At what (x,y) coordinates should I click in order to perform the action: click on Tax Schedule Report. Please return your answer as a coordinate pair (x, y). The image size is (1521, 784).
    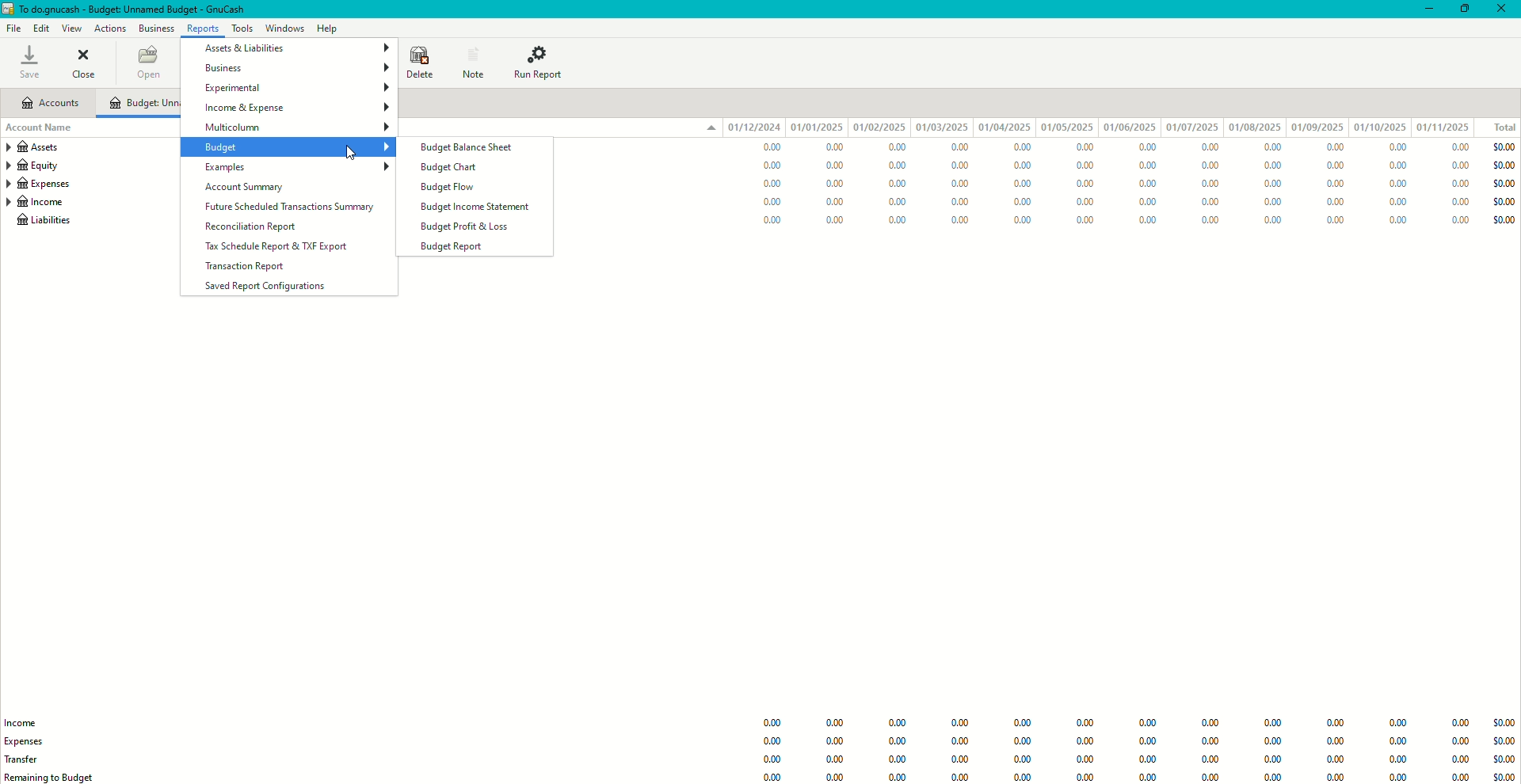
    Looking at the image, I should click on (277, 246).